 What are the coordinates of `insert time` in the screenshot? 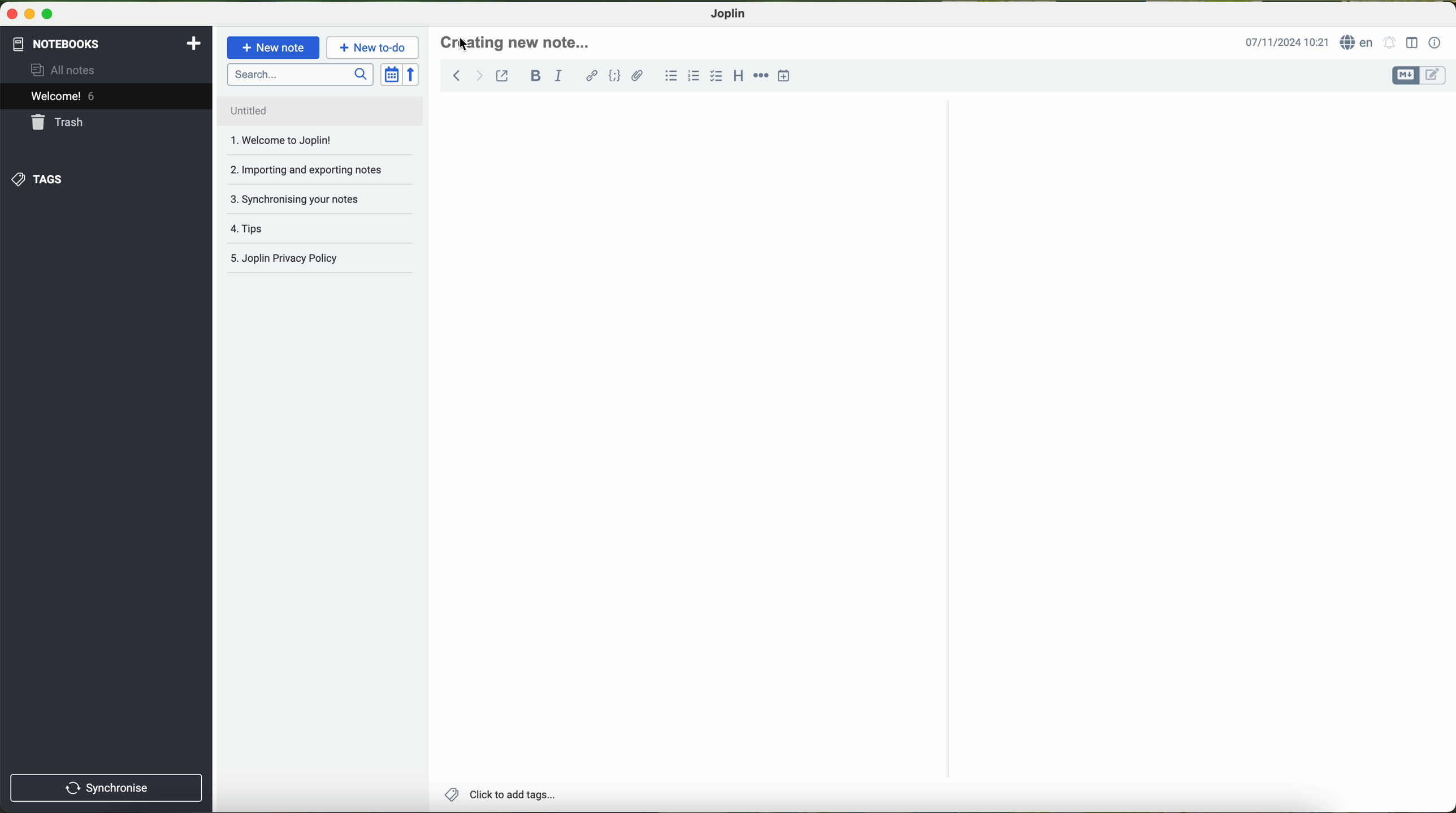 It's located at (784, 76).